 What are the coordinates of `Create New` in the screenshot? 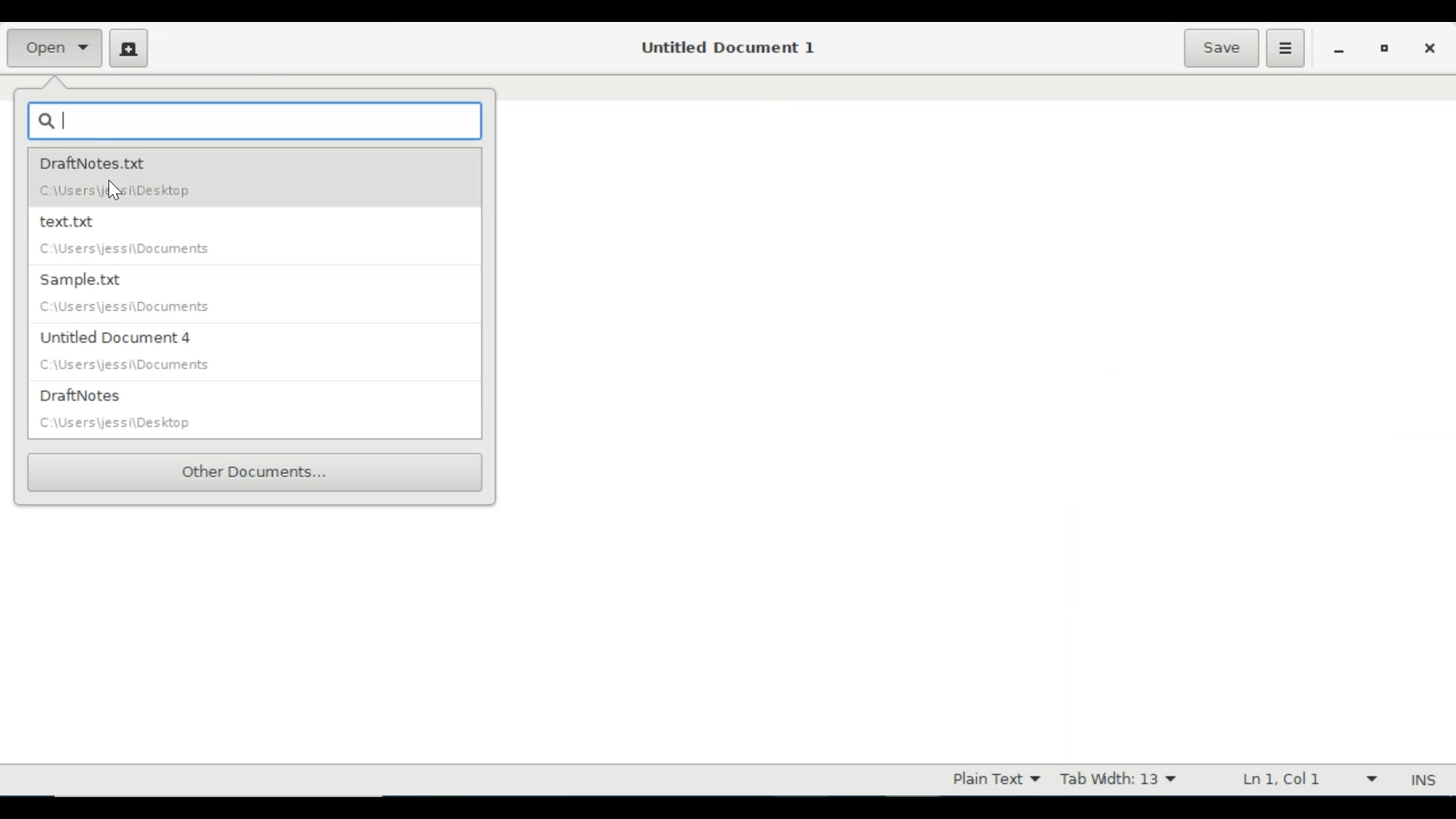 It's located at (129, 48).